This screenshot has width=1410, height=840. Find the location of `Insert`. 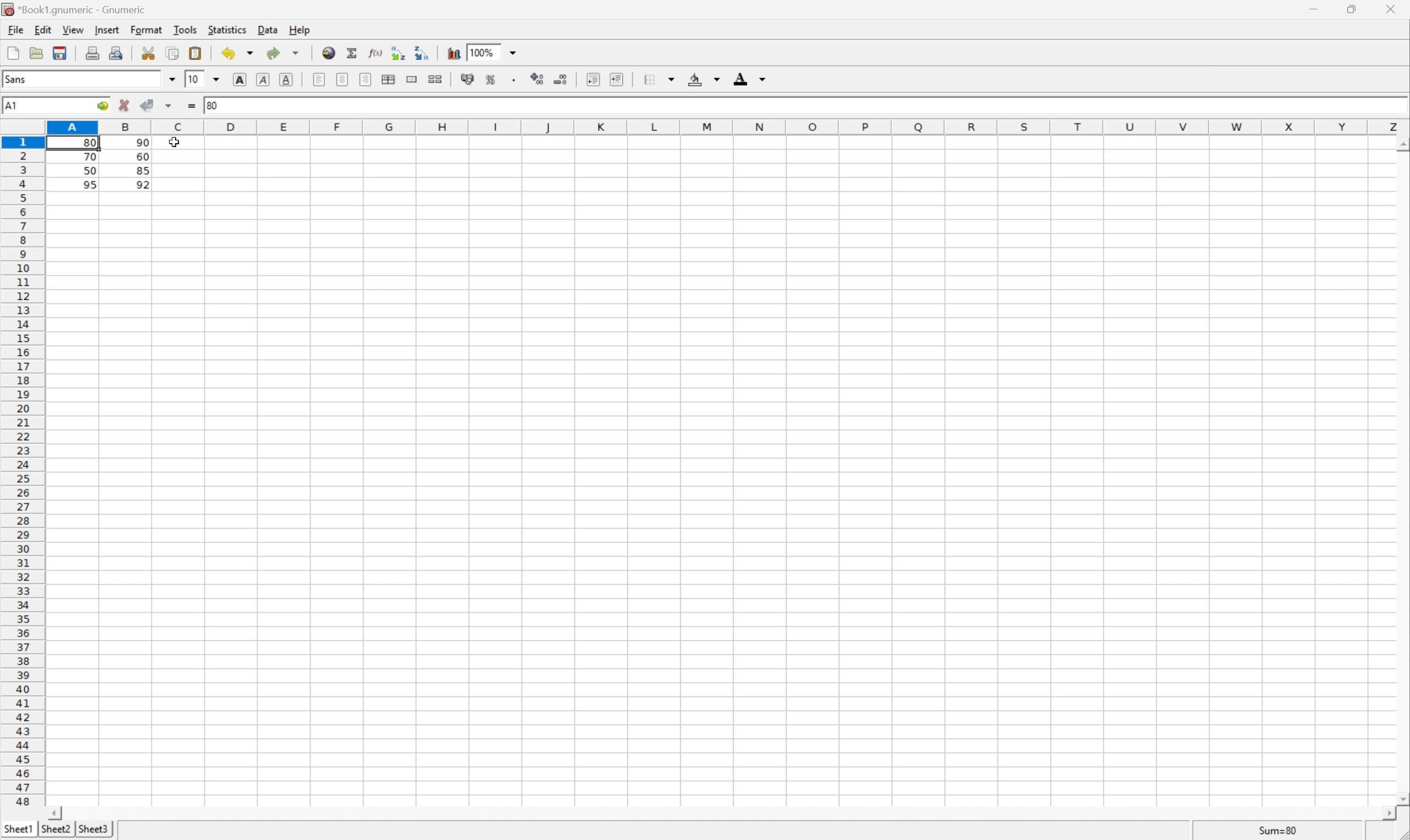

Insert is located at coordinates (108, 31).